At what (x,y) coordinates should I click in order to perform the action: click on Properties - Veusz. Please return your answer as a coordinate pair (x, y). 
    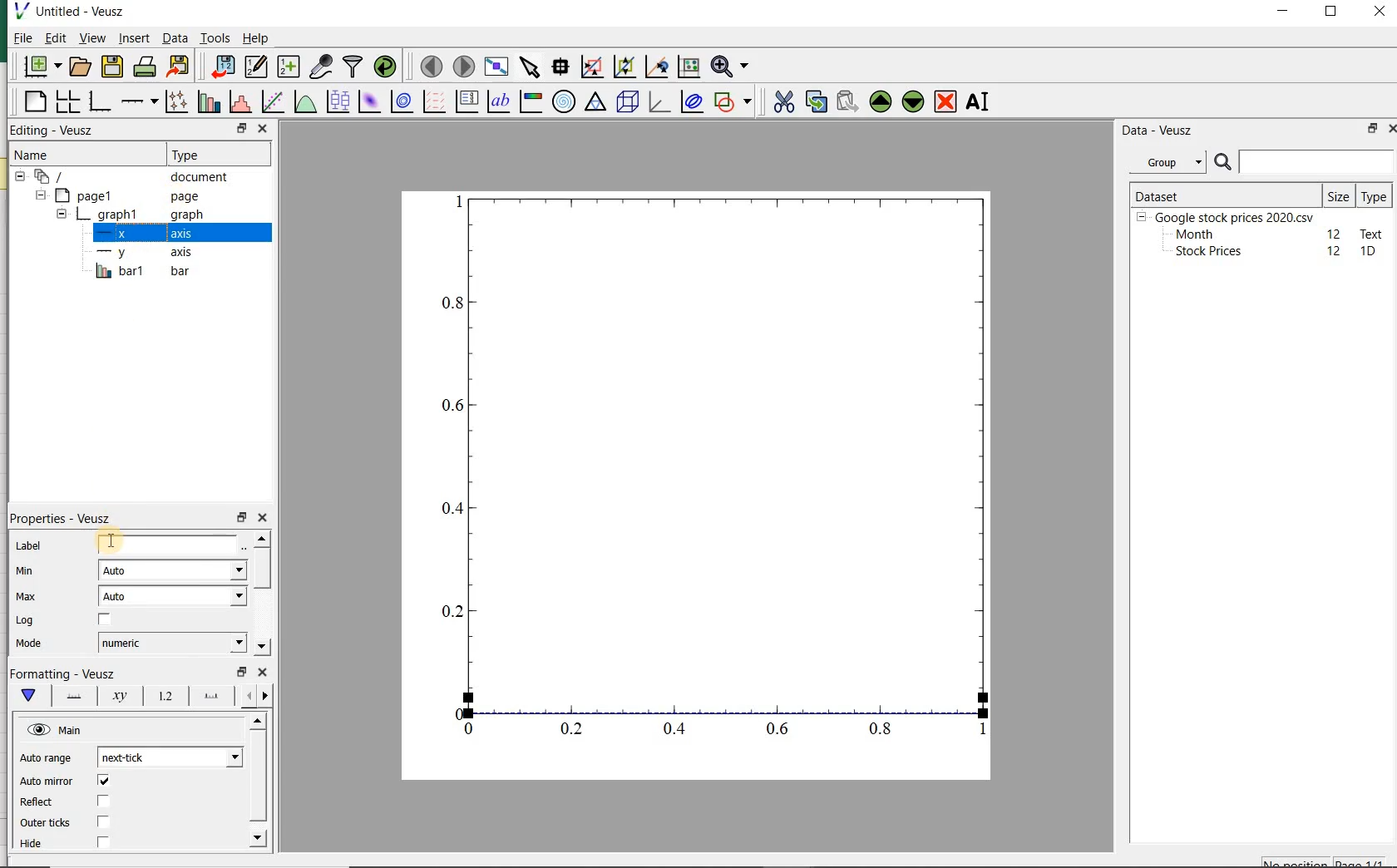
    Looking at the image, I should click on (66, 520).